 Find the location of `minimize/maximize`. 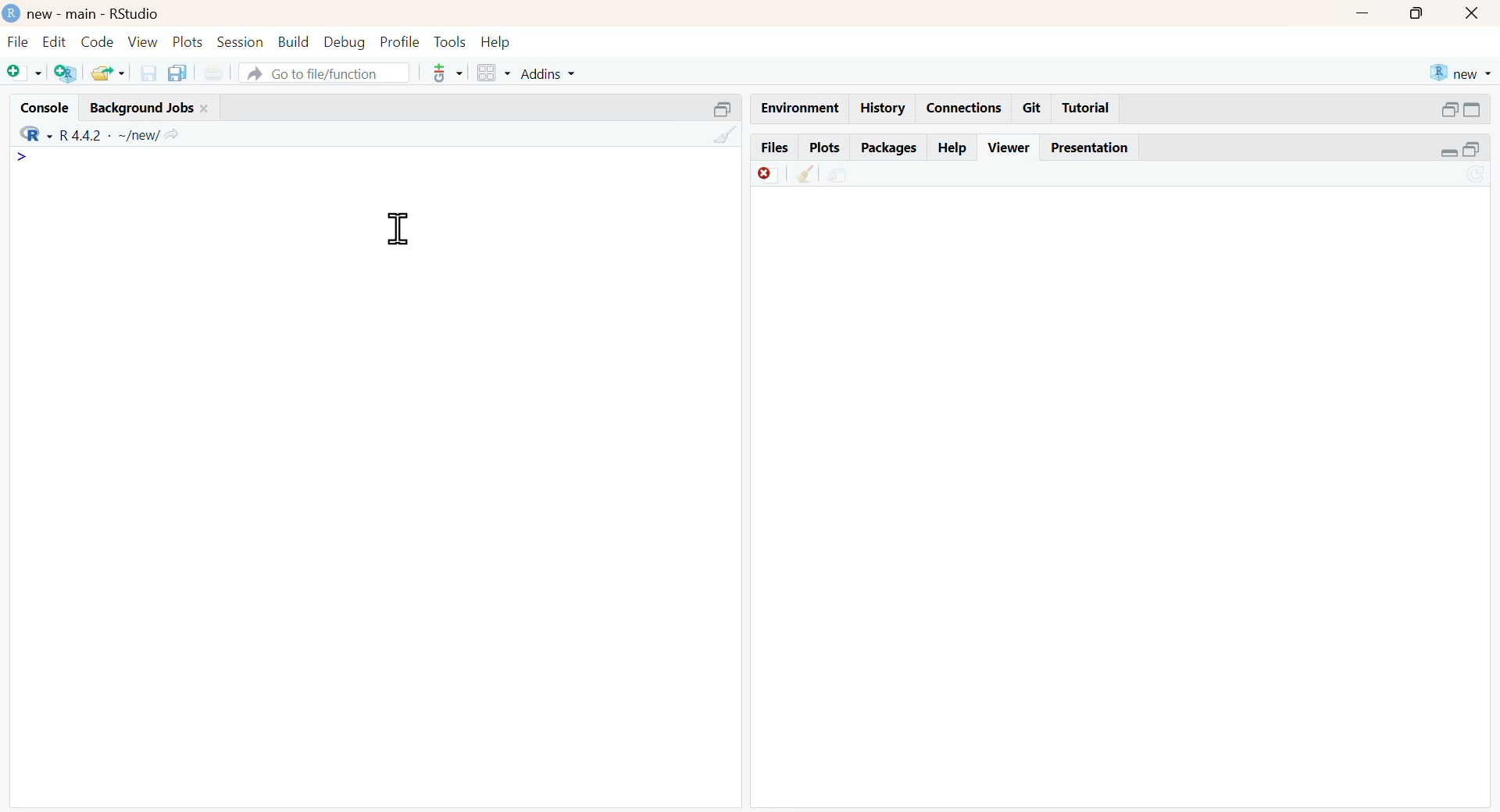

minimize/maximize is located at coordinates (1460, 150).